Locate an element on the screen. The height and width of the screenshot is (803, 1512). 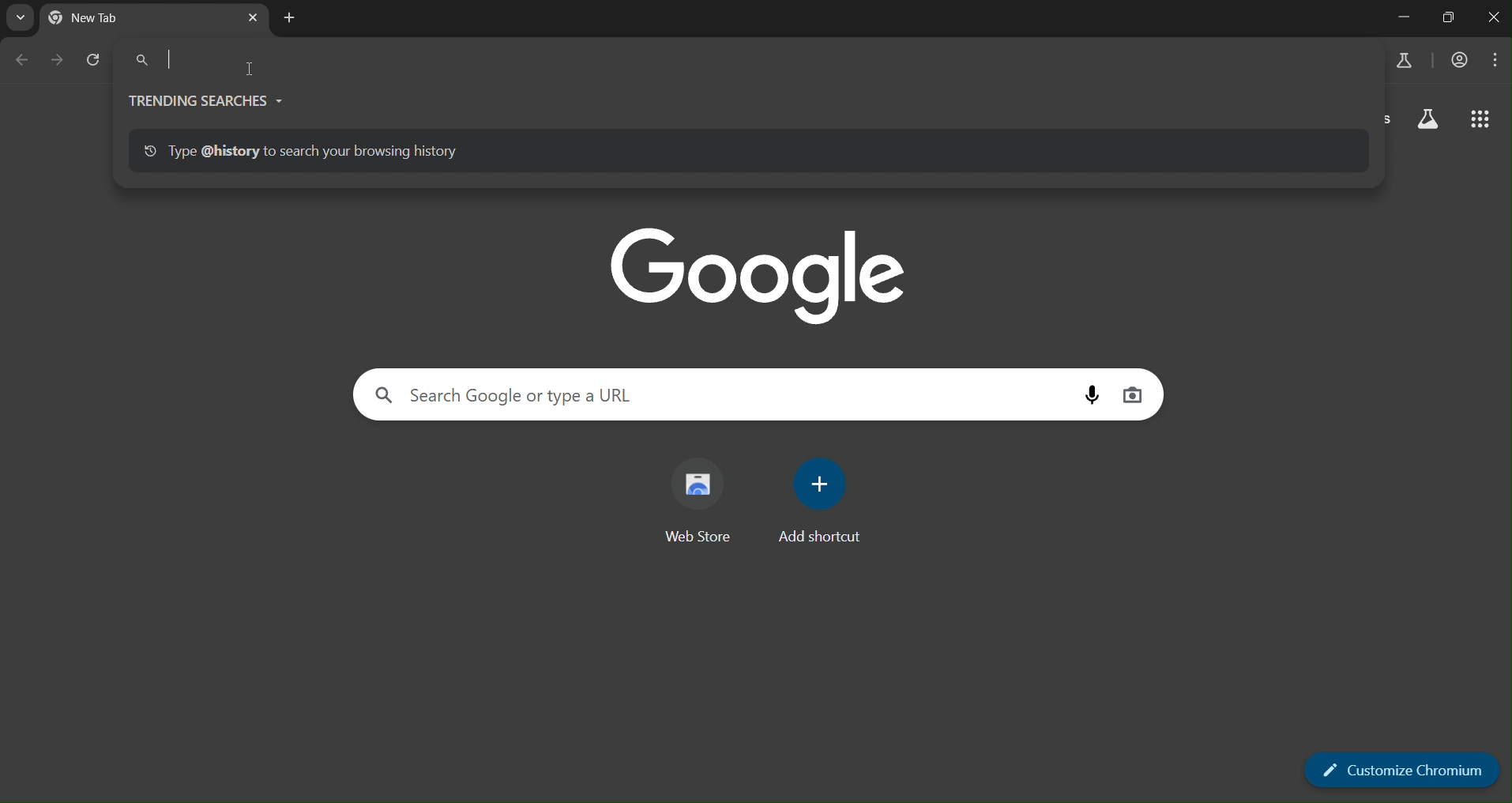
search Google or type a URL is located at coordinates (356, 58).